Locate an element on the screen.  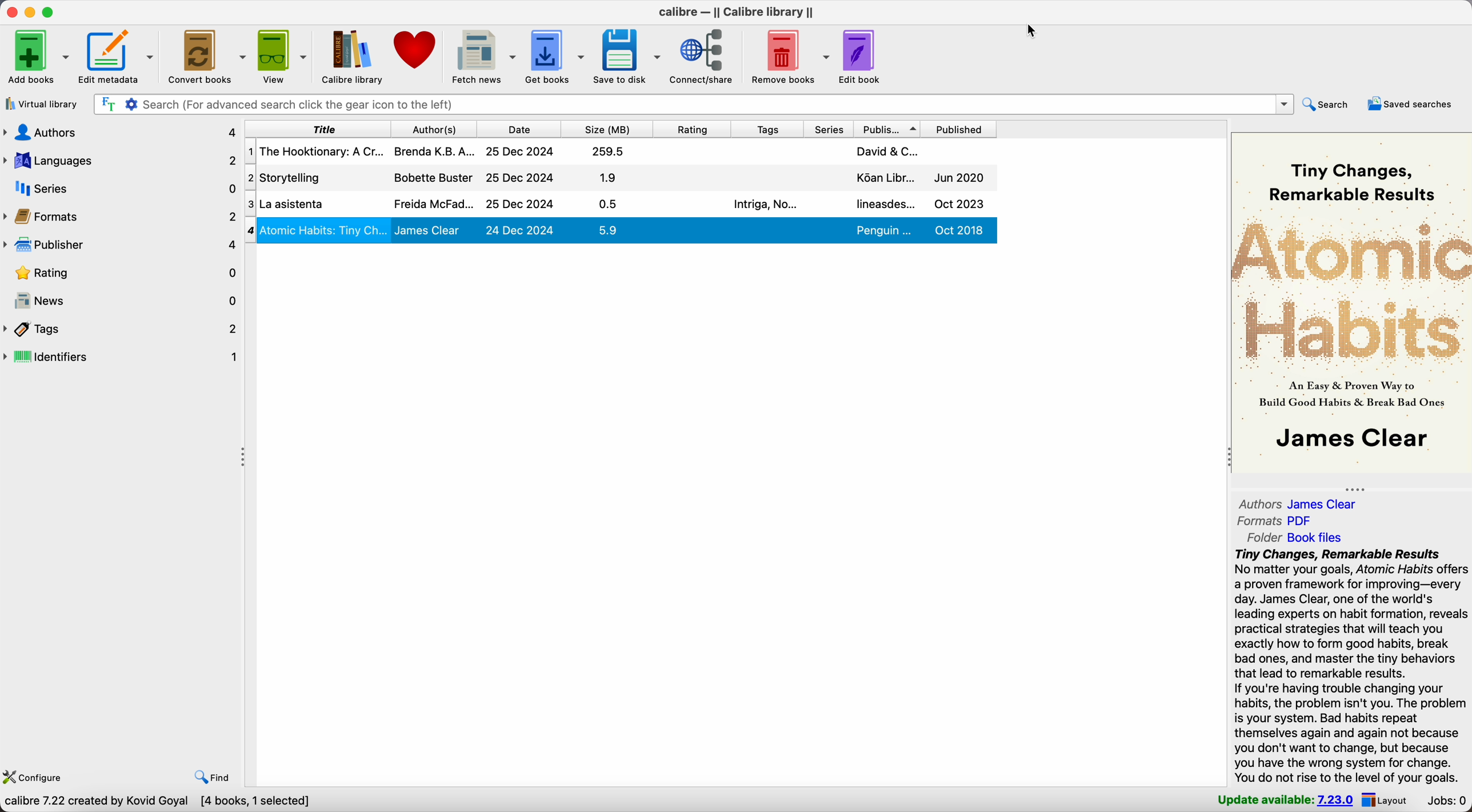
Calibre 7.22 created by Kovid Goyal [4 books, 1 selected] is located at coordinates (158, 802).